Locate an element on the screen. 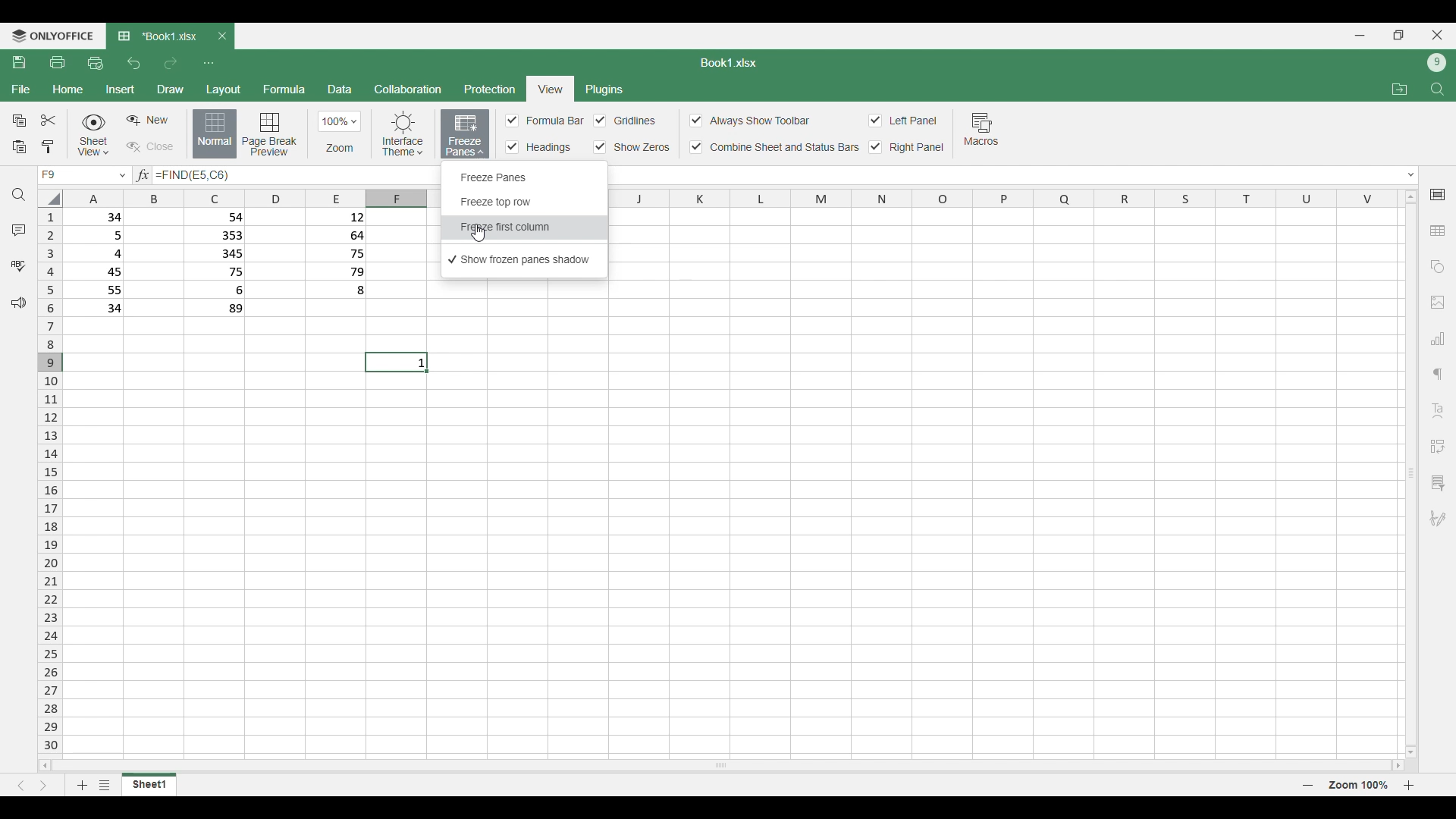 Image resolution: width=1456 pixels, height=819 pixels.  is located at coordinates (632, 147).